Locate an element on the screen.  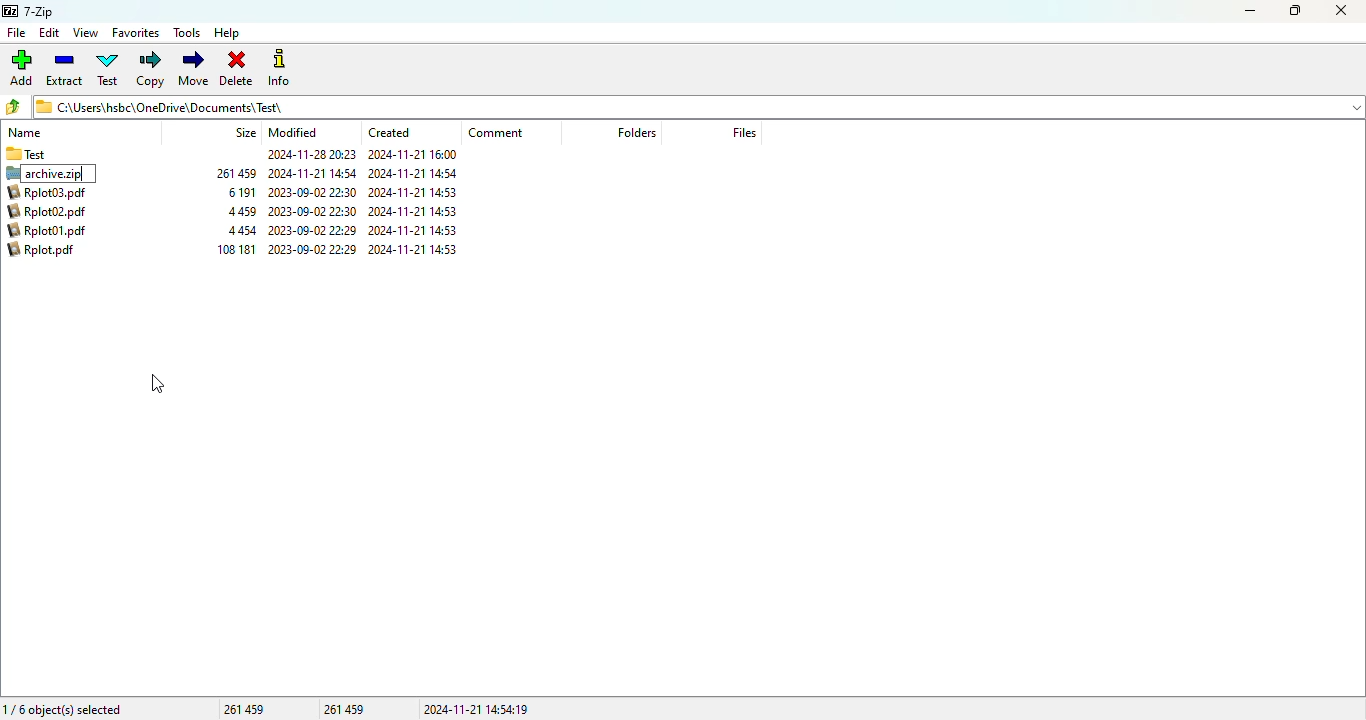
6 191 is located at coordinates (242, 192).